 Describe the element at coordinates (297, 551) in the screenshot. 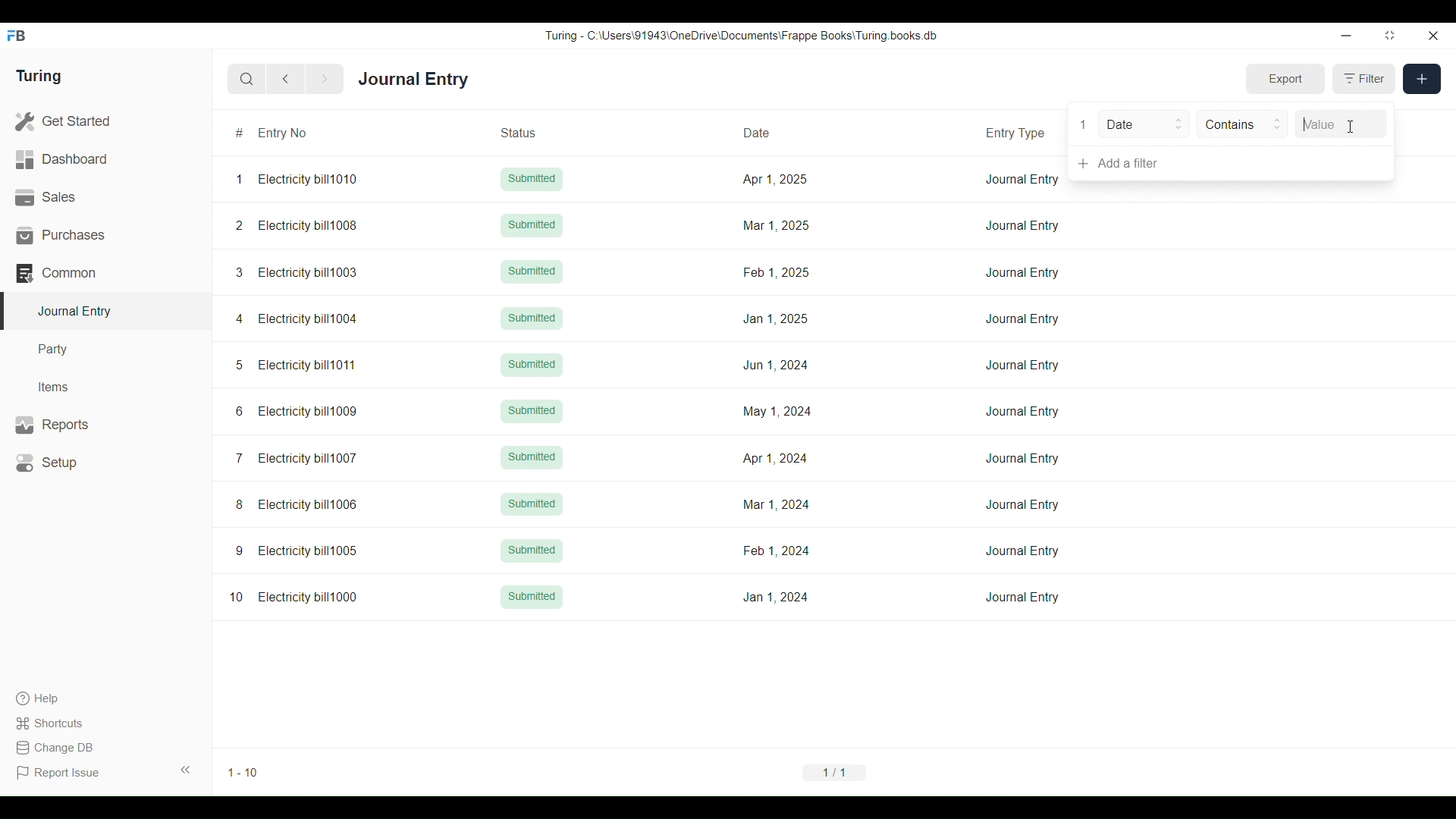

I see `9 Electricity bill1005` at that location.